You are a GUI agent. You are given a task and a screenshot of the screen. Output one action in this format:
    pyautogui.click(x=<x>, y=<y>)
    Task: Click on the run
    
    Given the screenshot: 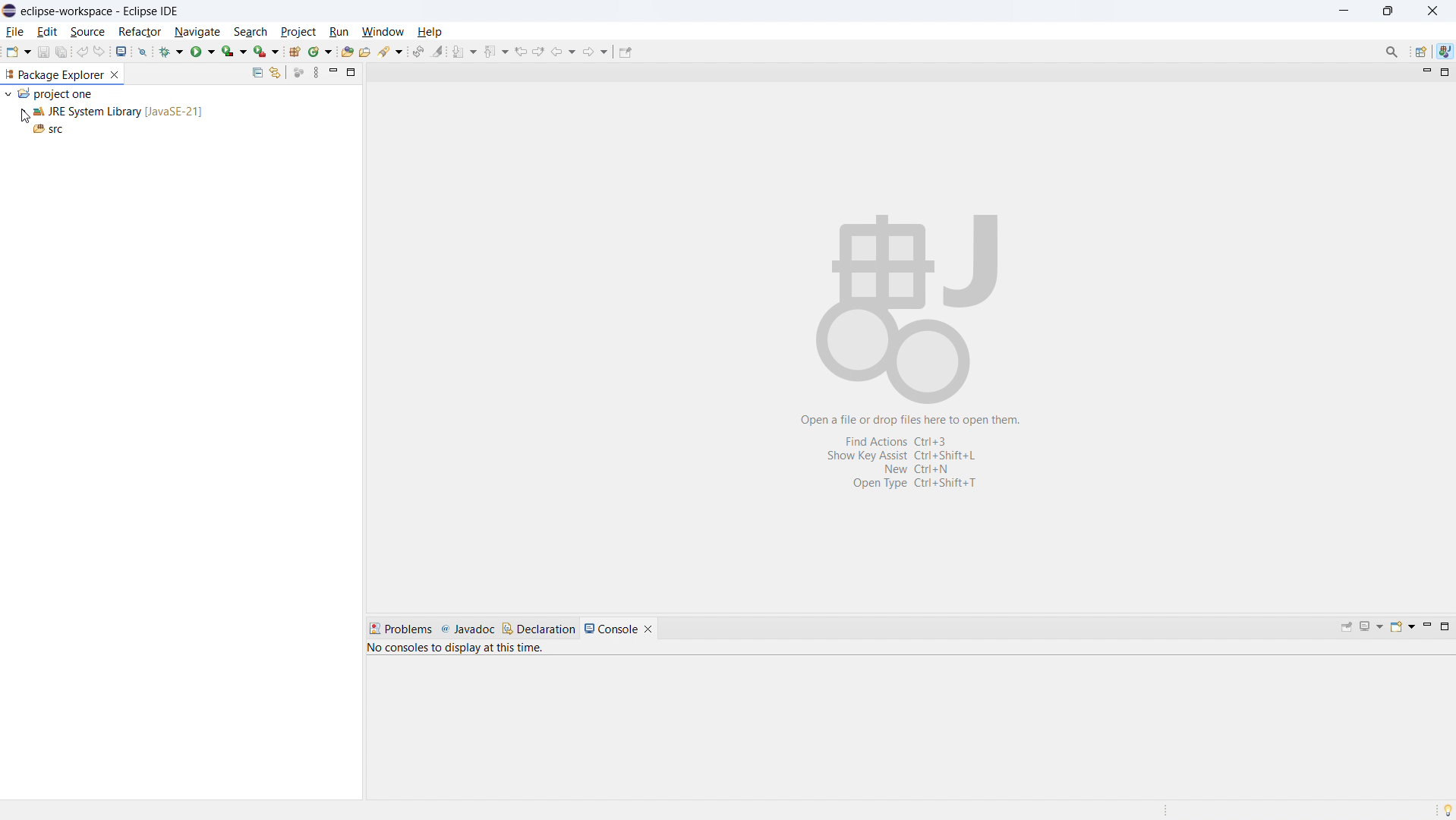 What is the action you would take?
    pyautogui.click(x=335, y=30)
    